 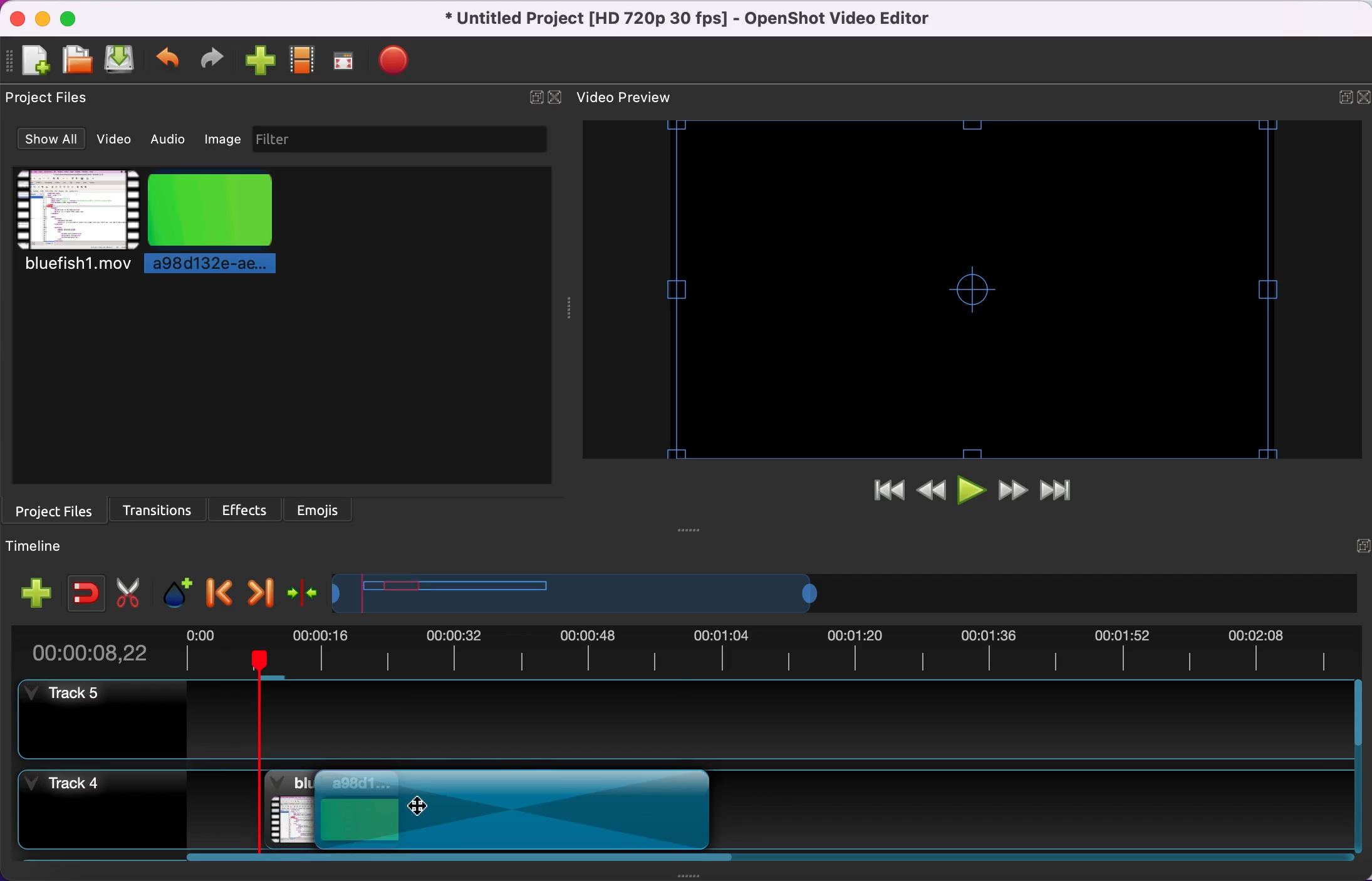 What do you see at coordinates (160, 508) in the screenshot?
I see `transitions` at bounding box center [160, 508].